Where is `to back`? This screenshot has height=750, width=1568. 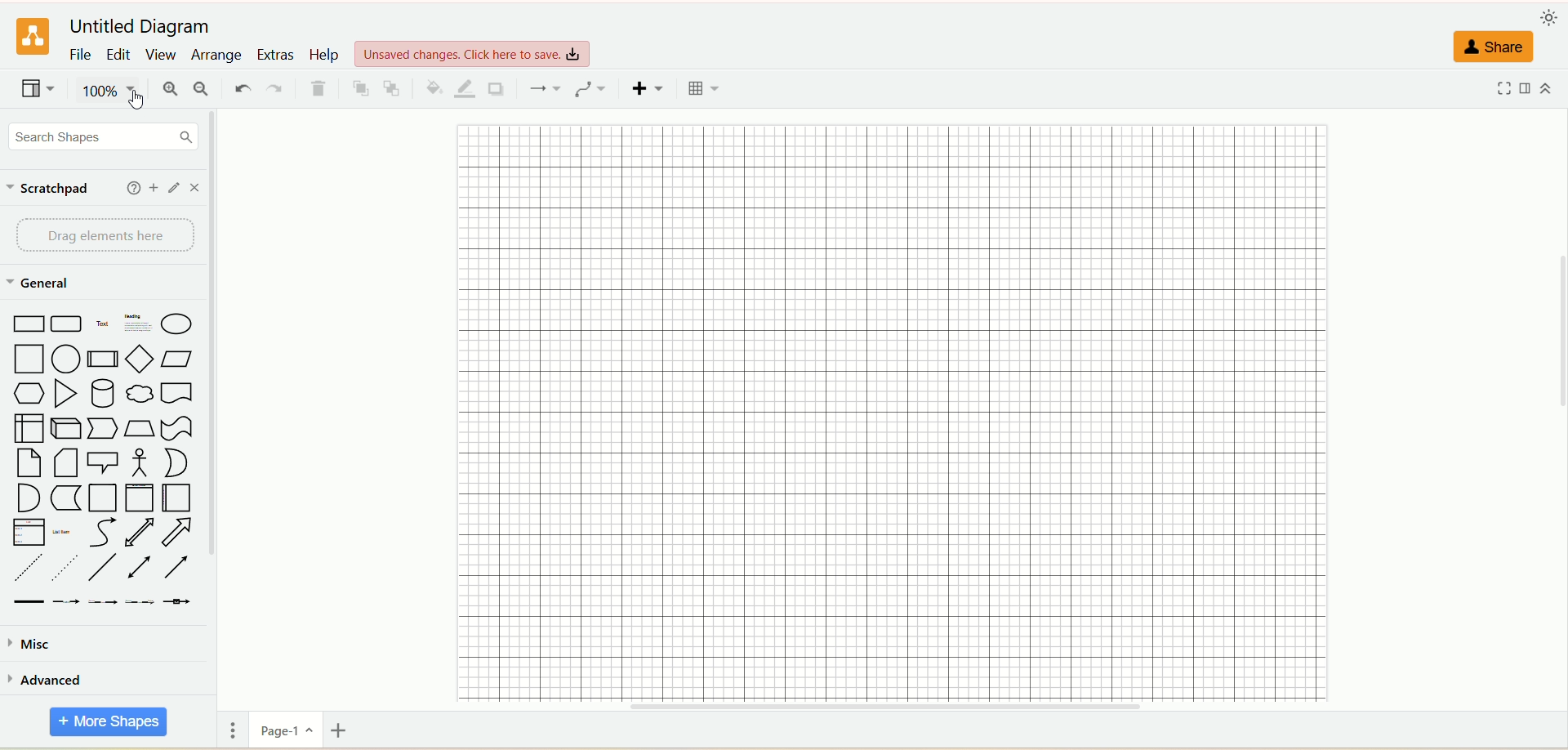
to back is located at coordinates (395, 88).